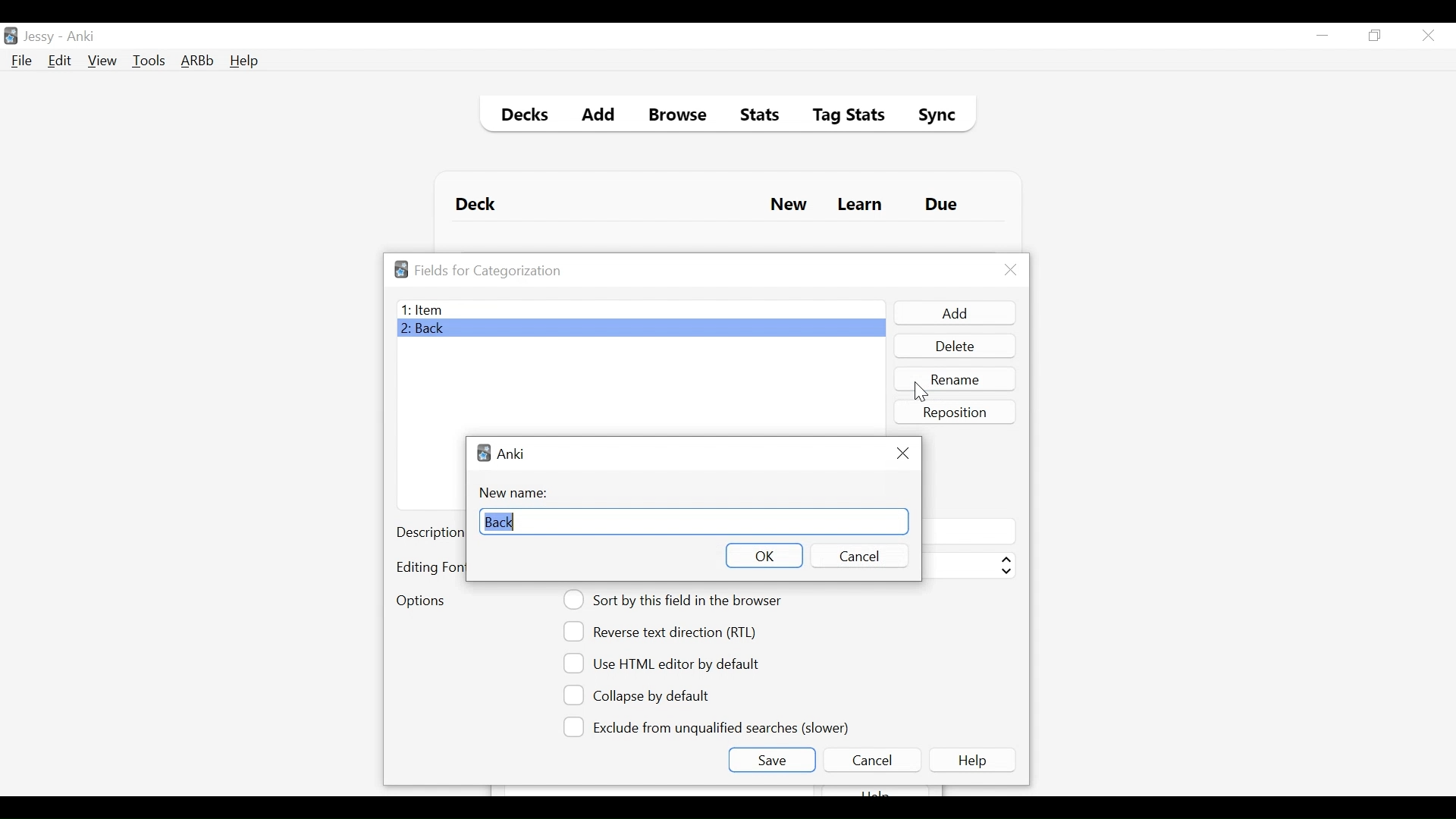 The image size is (1456, 819). Describe the element at coordinates (521, 117) in the screenshot. I see `Decks` at that location.